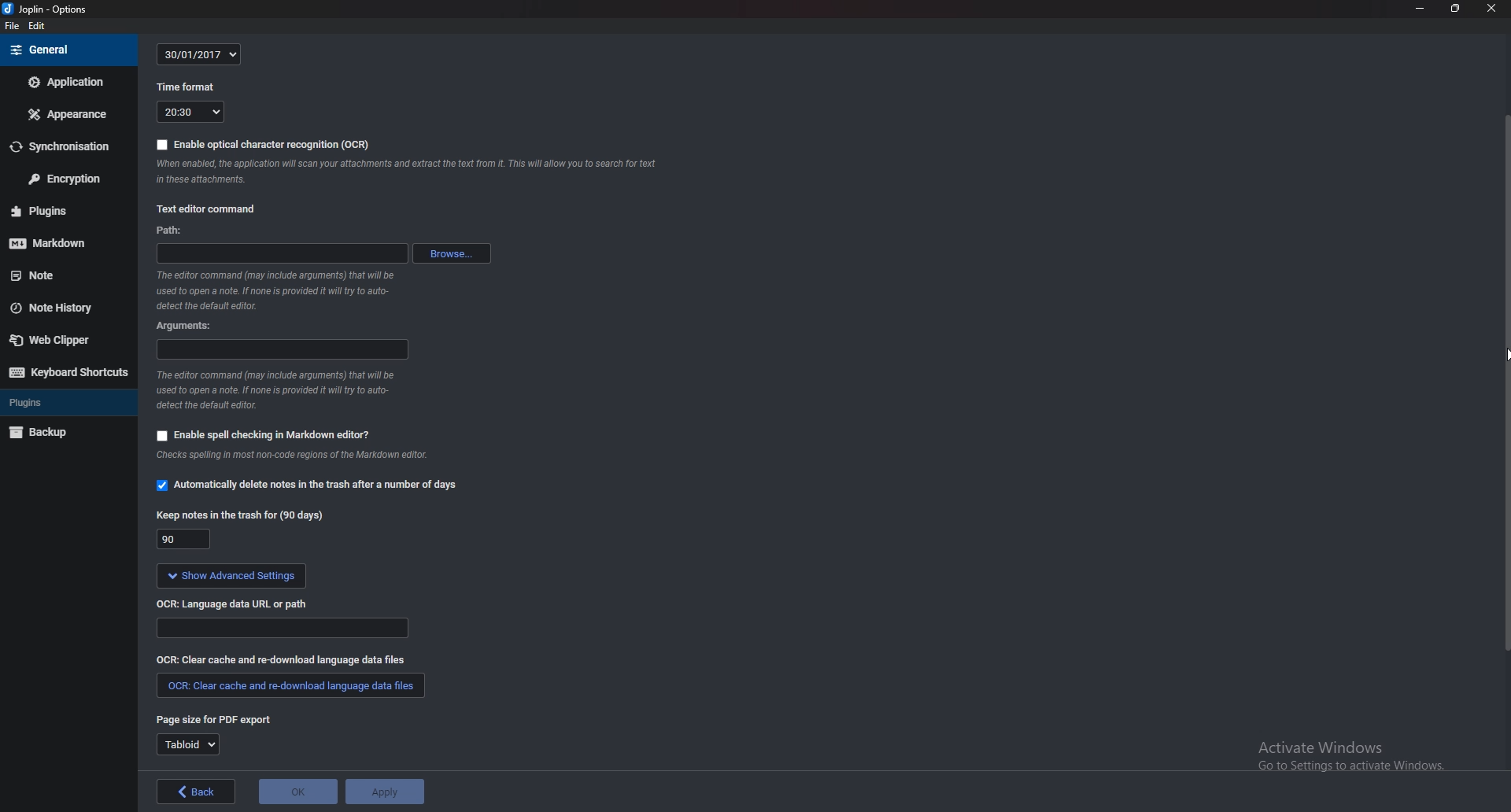 Image resolution: width=1511 pixels, height=812 pixels. What do you see at coordinates (290, 685) in the screenshot?
I see `clear cache and redownload language data` at bounding box center [290, 685].